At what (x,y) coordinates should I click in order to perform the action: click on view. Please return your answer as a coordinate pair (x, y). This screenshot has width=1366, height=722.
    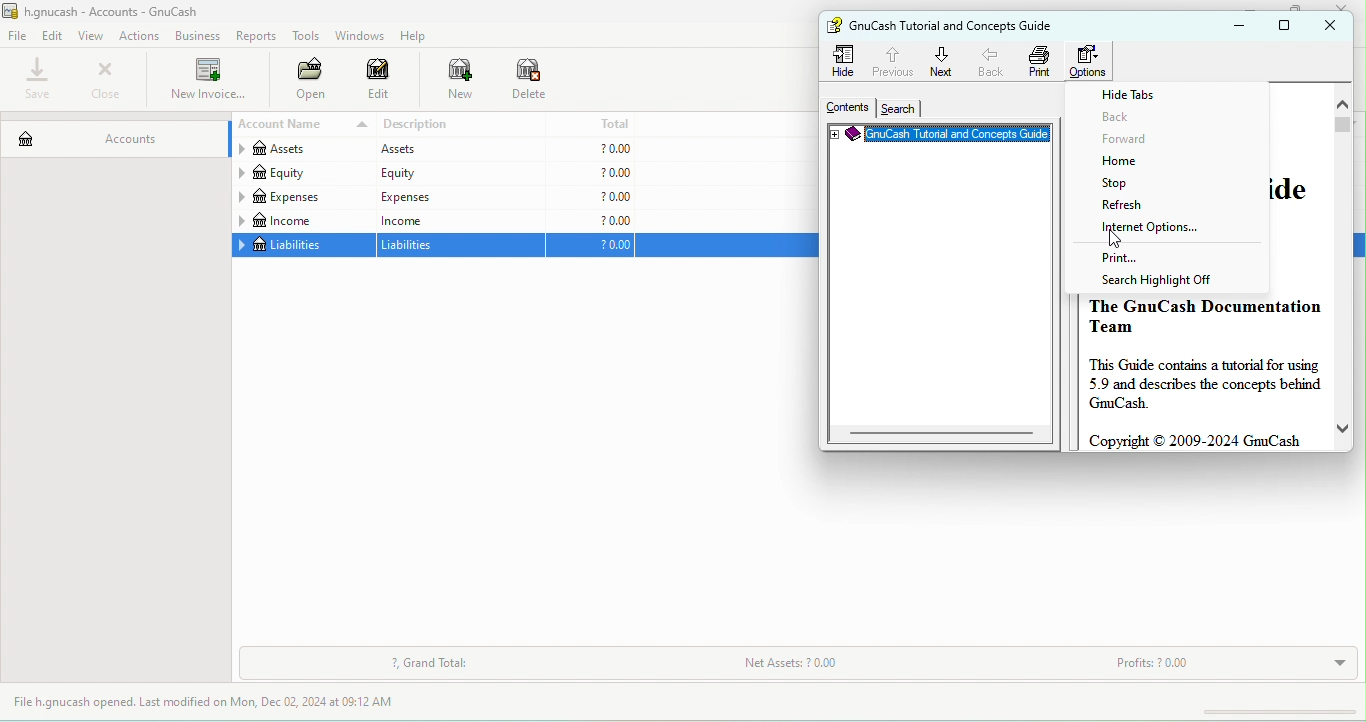
    Looking at the image, I should click on (94, 36).